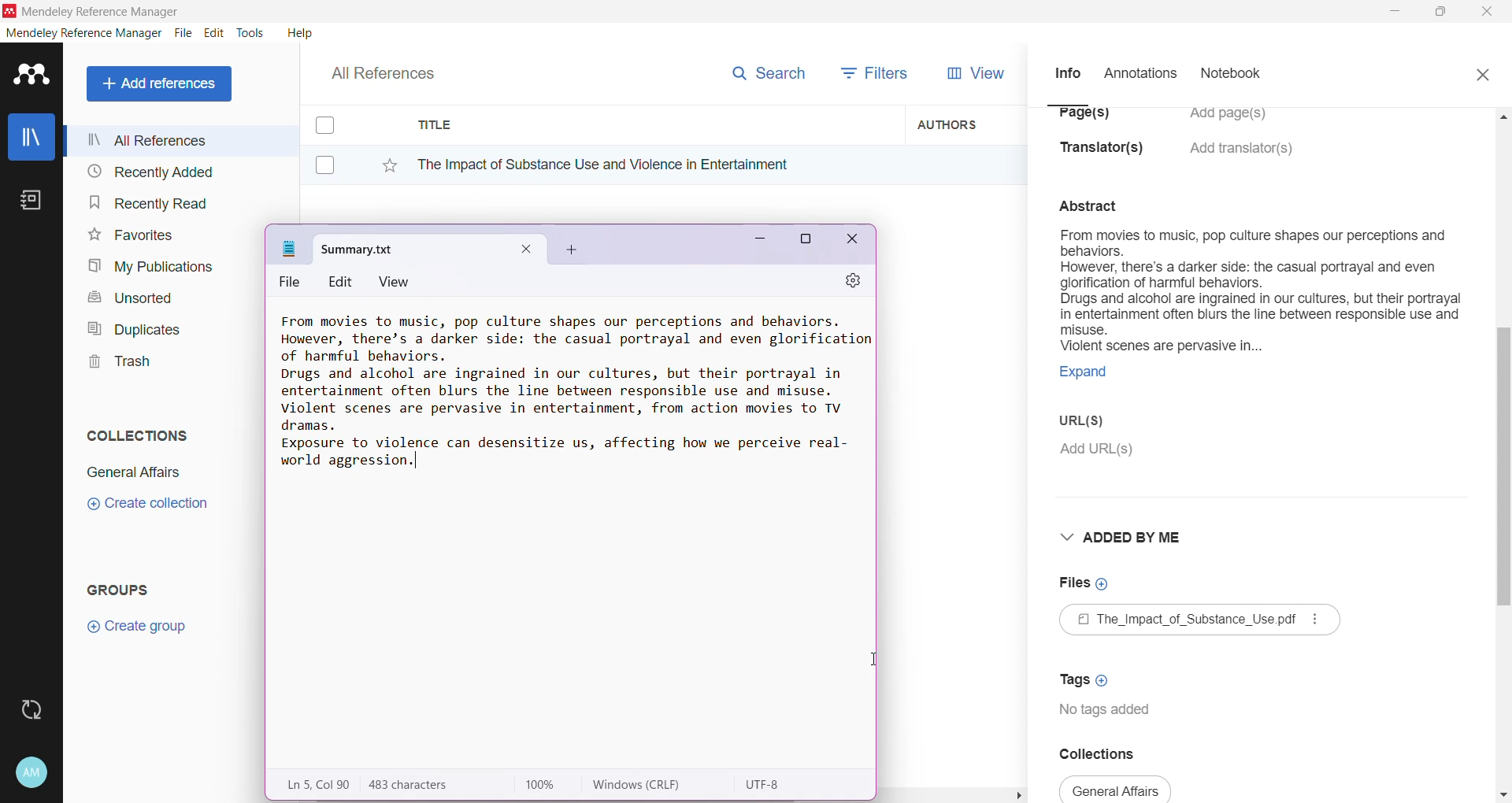  I want to click on Reference Title, so click(653, 164).